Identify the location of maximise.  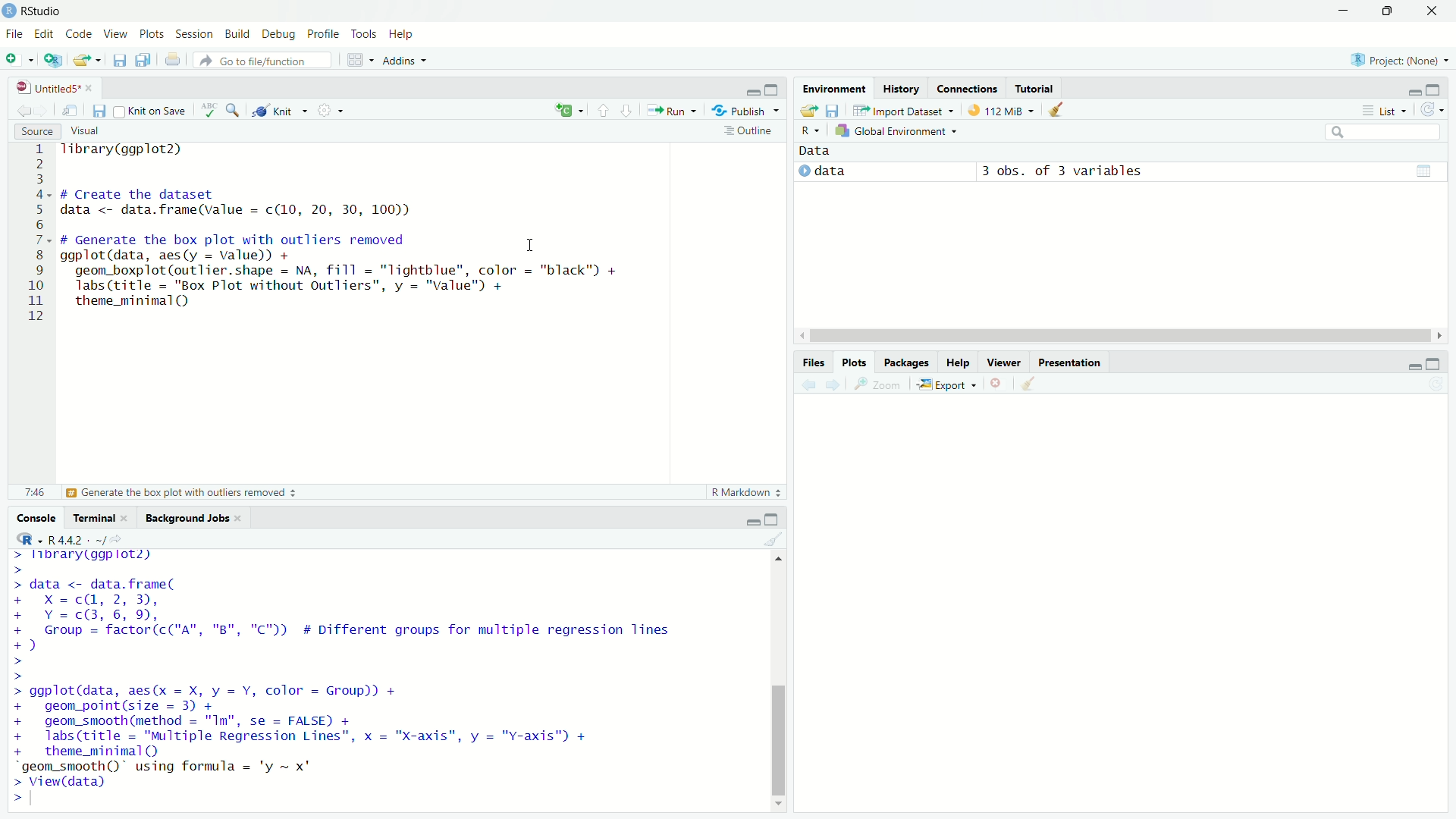
(1392, 14).